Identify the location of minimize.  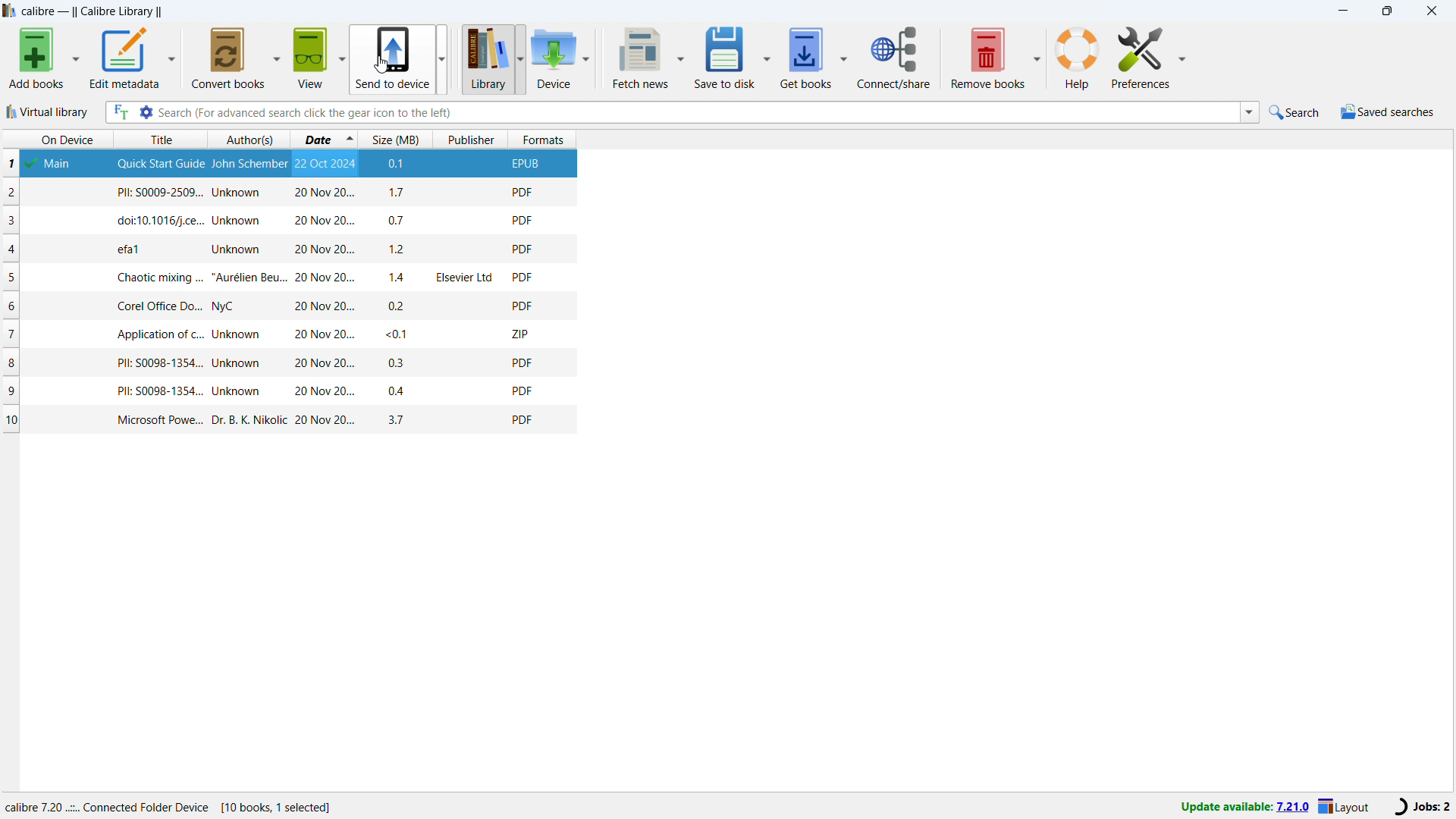
(1342, 12).